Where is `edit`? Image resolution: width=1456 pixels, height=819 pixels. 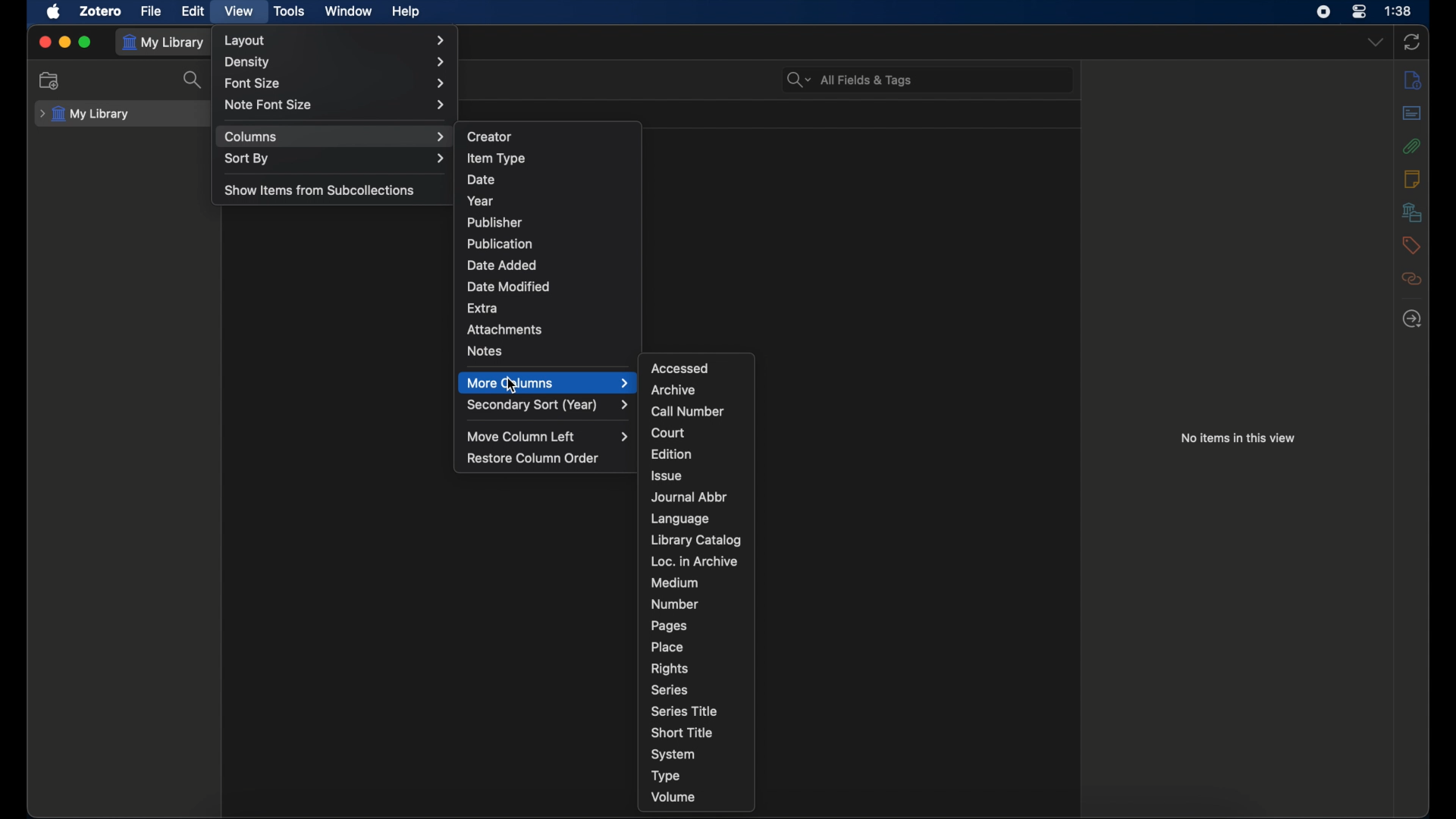
edit is located at coordinates (193, 10).